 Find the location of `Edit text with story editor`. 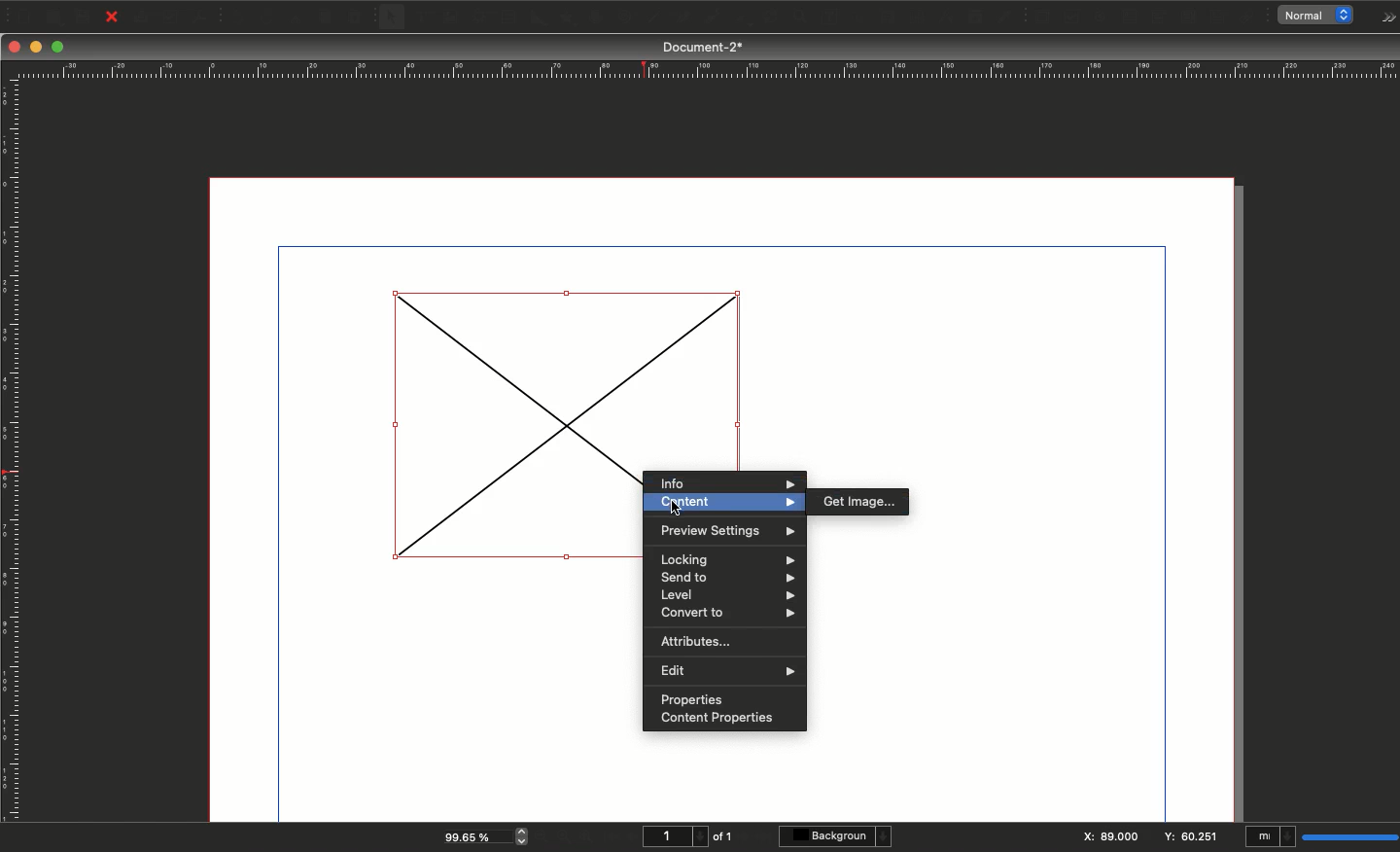

Edit text with story editor is located at coordinates (841, 18).